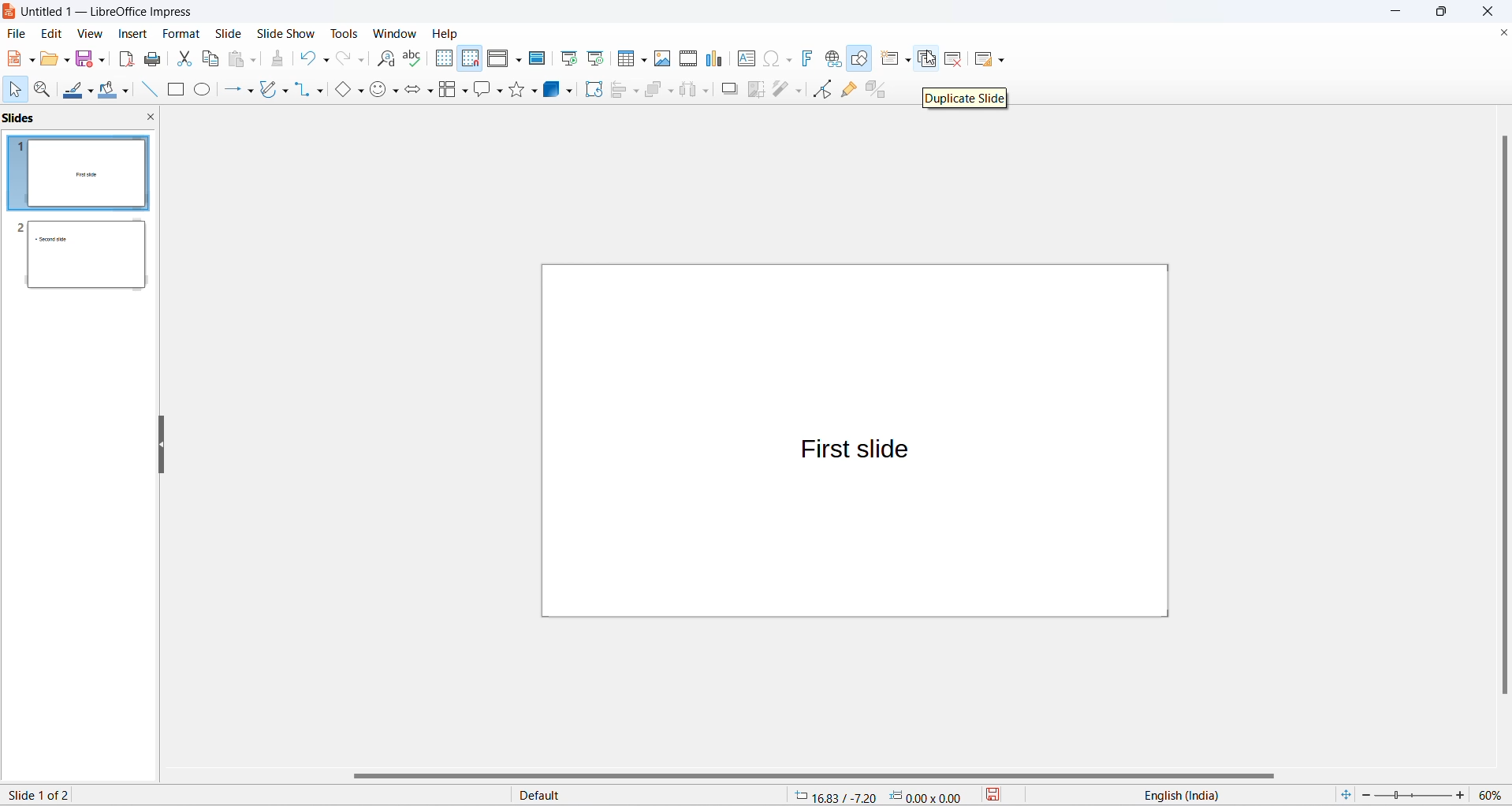 The height and width of the screenshot is (806, 1512). I want to click on toggle extrusion, so click(888, 91).